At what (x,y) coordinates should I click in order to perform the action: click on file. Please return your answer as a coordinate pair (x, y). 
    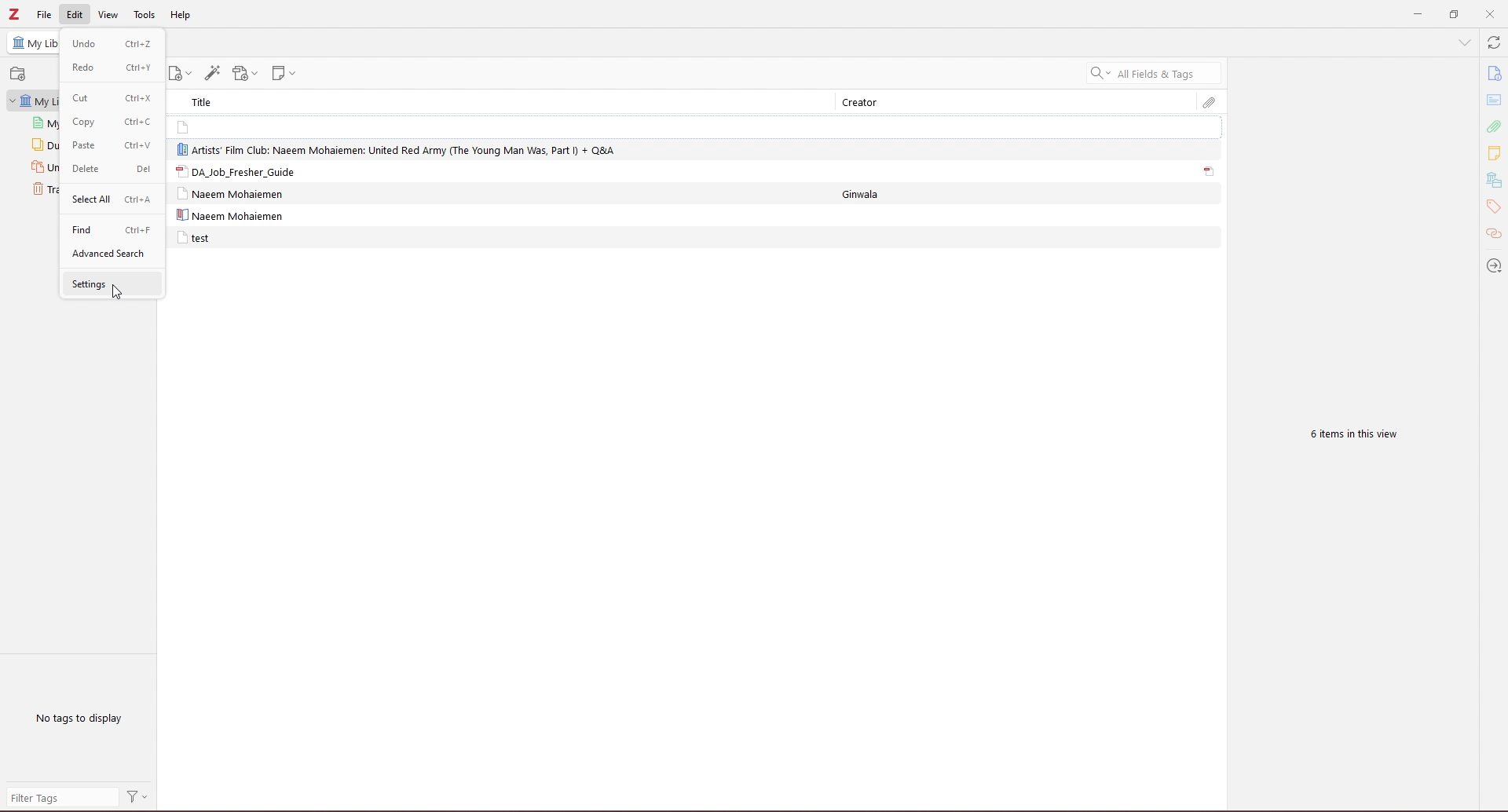
    Looking at the image, I should click on (45, 14).